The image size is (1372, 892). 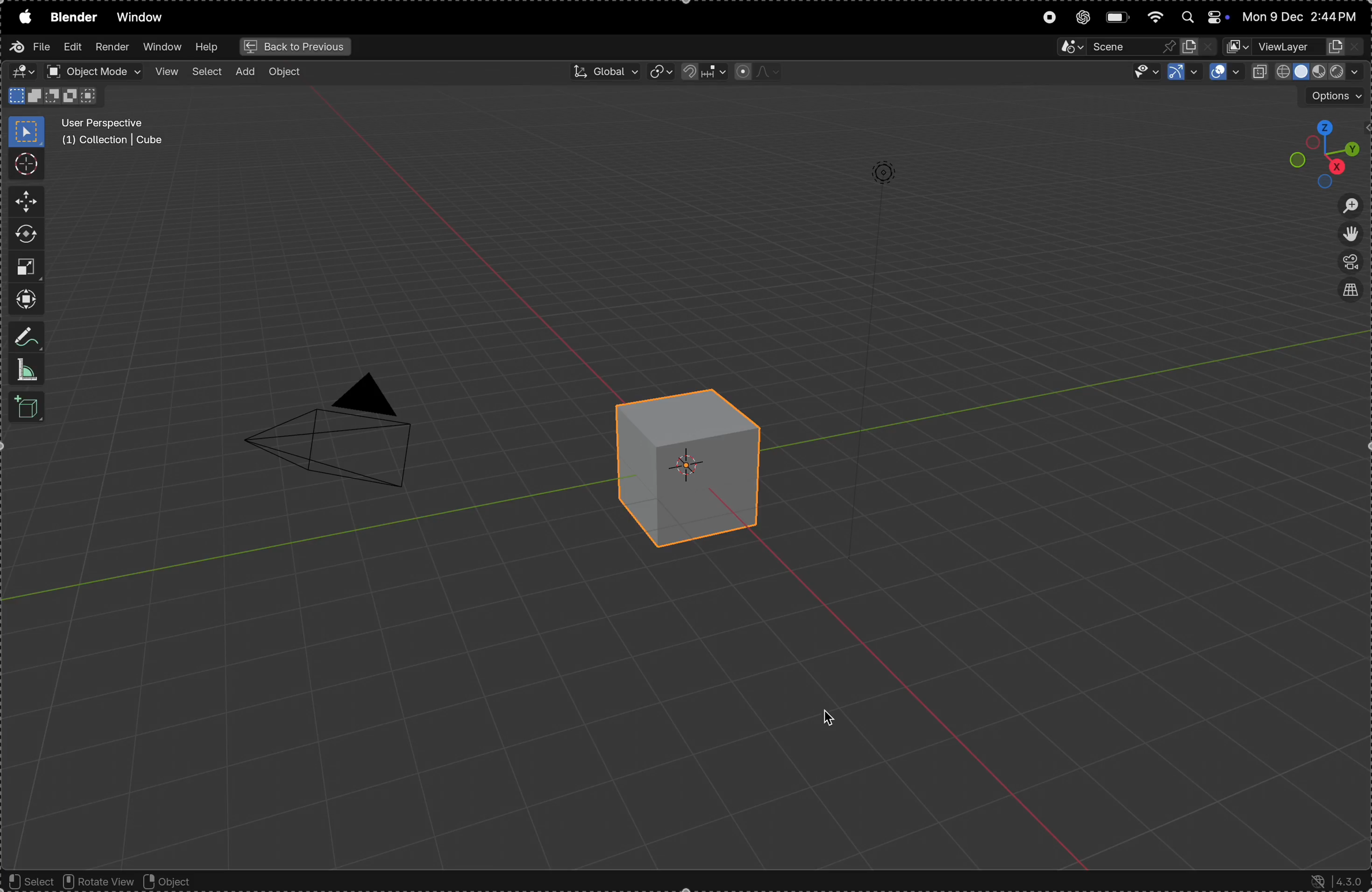 What do you see at coordinates (29, 882) in the screenshot?
I see `select` at bounding box center [29, 882].